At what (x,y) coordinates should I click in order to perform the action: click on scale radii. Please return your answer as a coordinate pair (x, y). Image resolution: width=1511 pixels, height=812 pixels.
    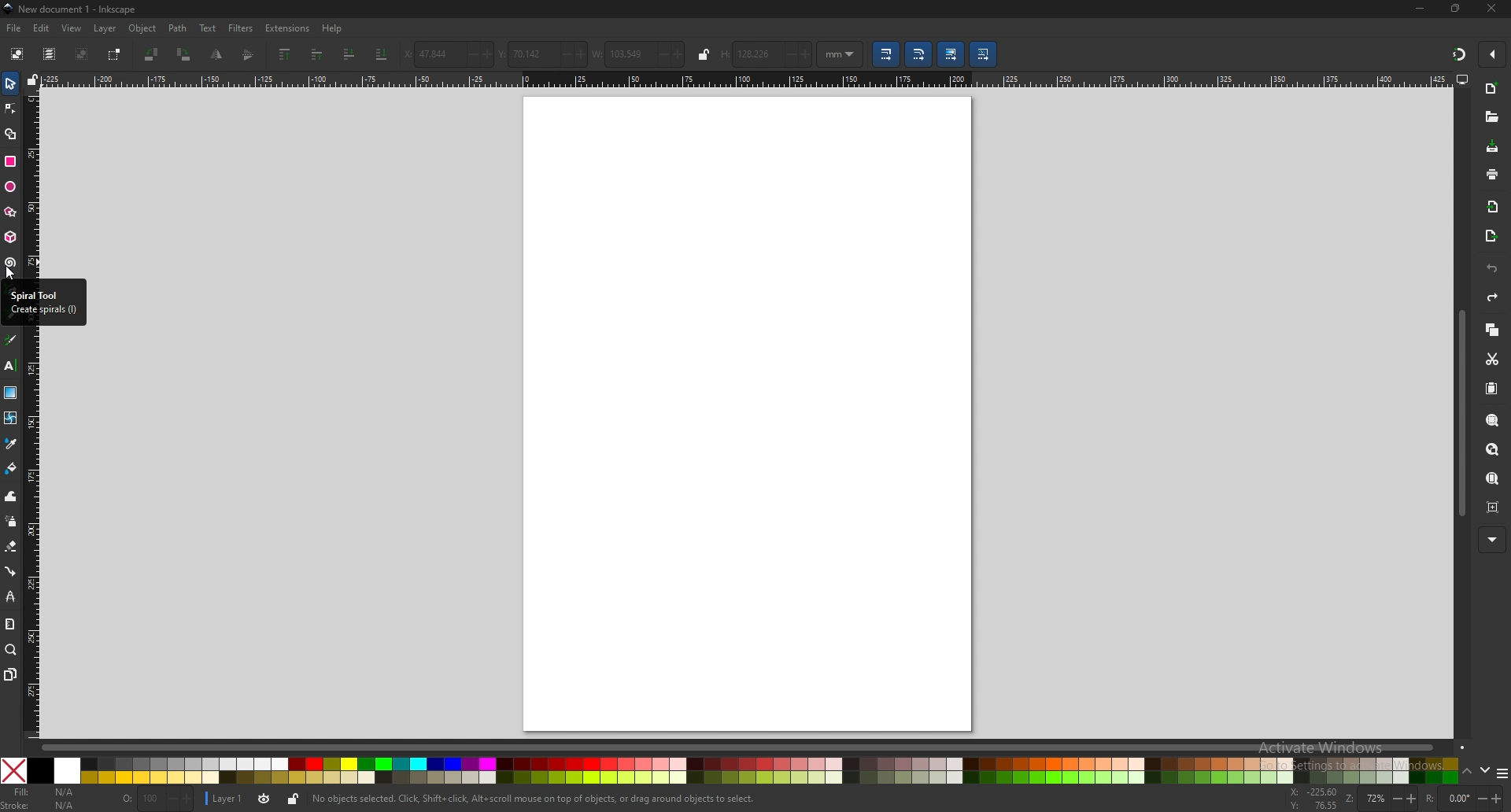
    Looking at the image, I should click on (918, 55).